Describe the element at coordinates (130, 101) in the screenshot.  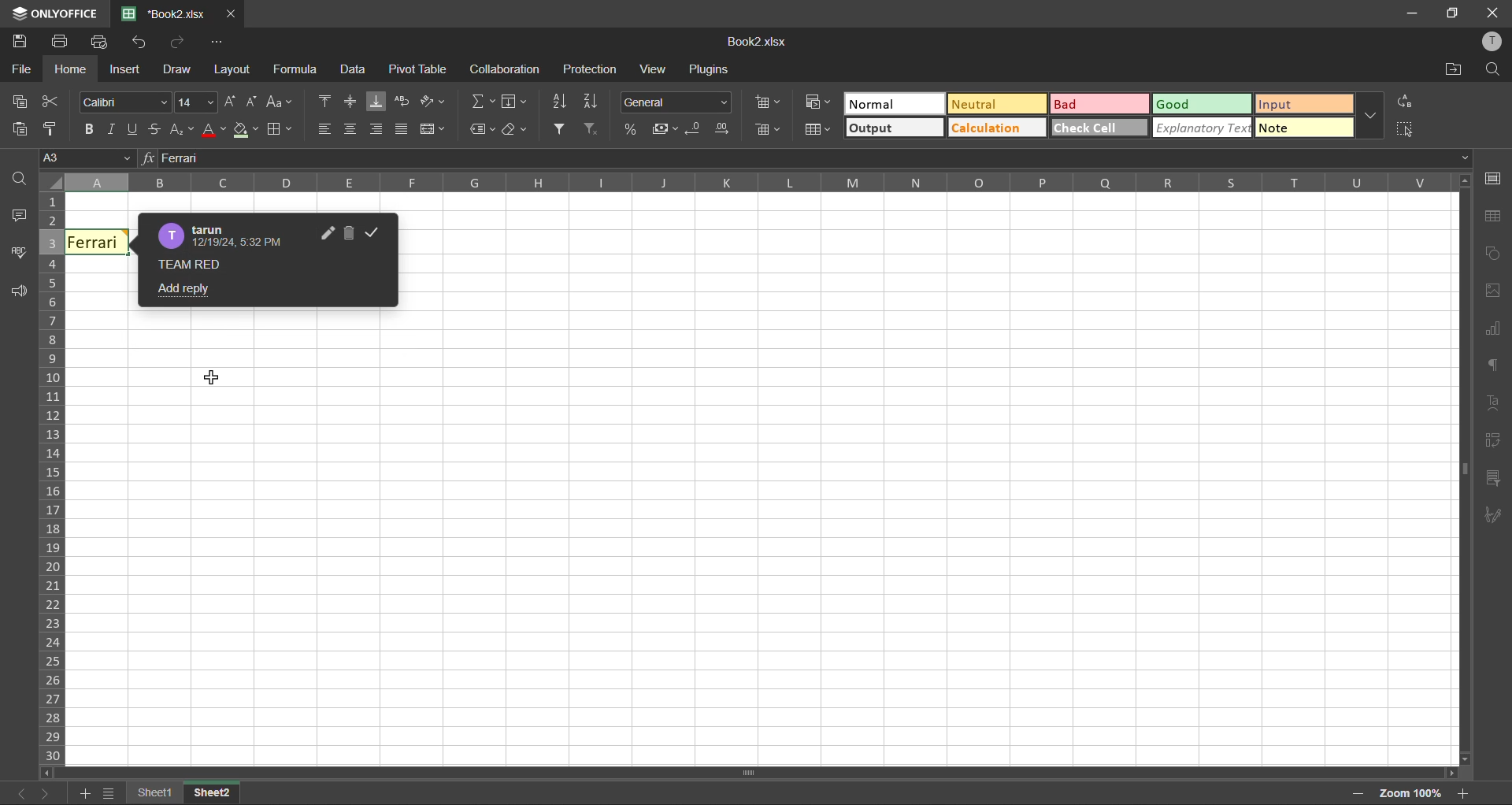
I see `font style` at that location.